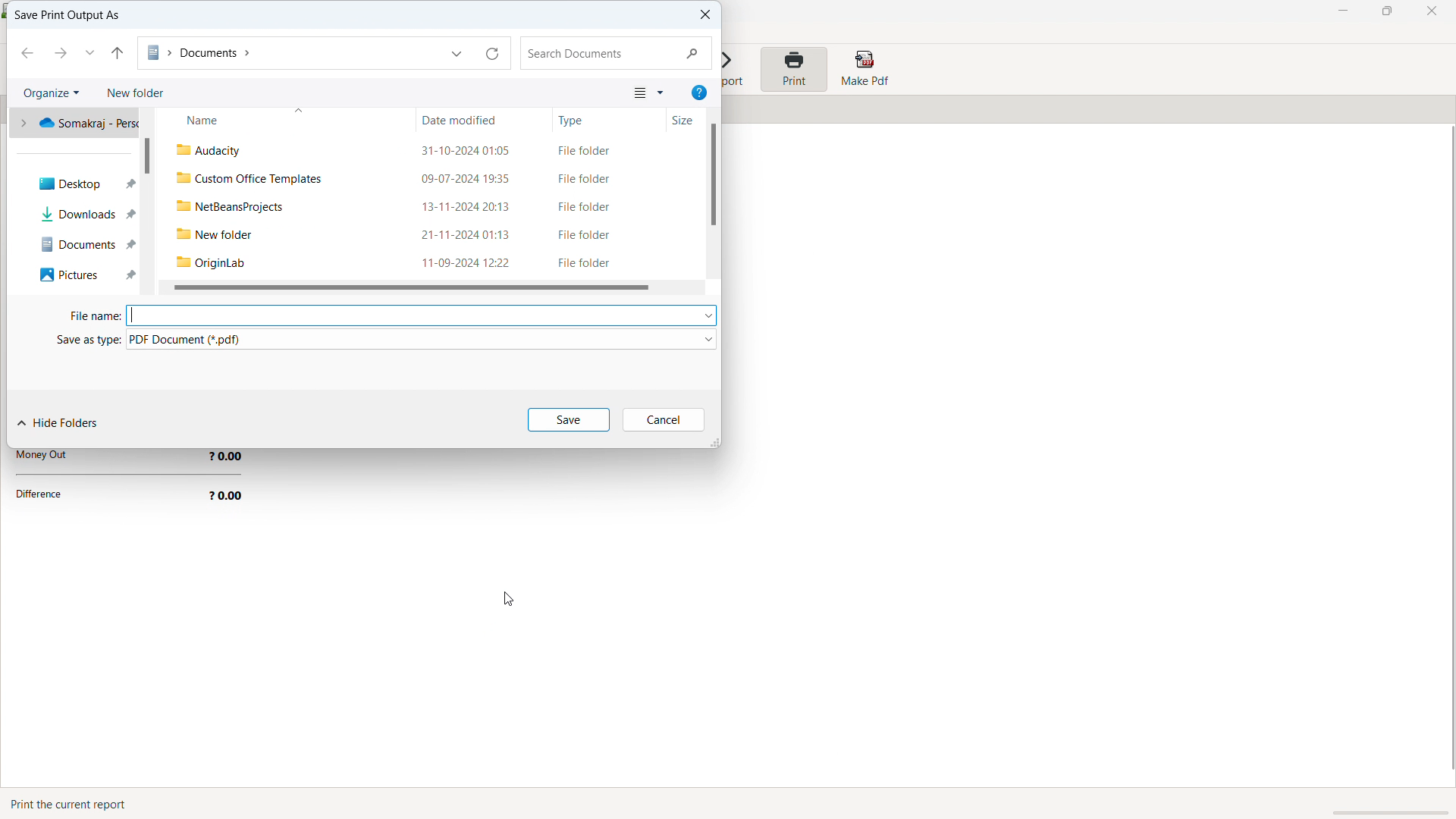 This screenshot has height=819, width=1456. What do you see at coordinates (59, 52) in the screenshot?
I see `next folder` at bounding box center [59, 52].